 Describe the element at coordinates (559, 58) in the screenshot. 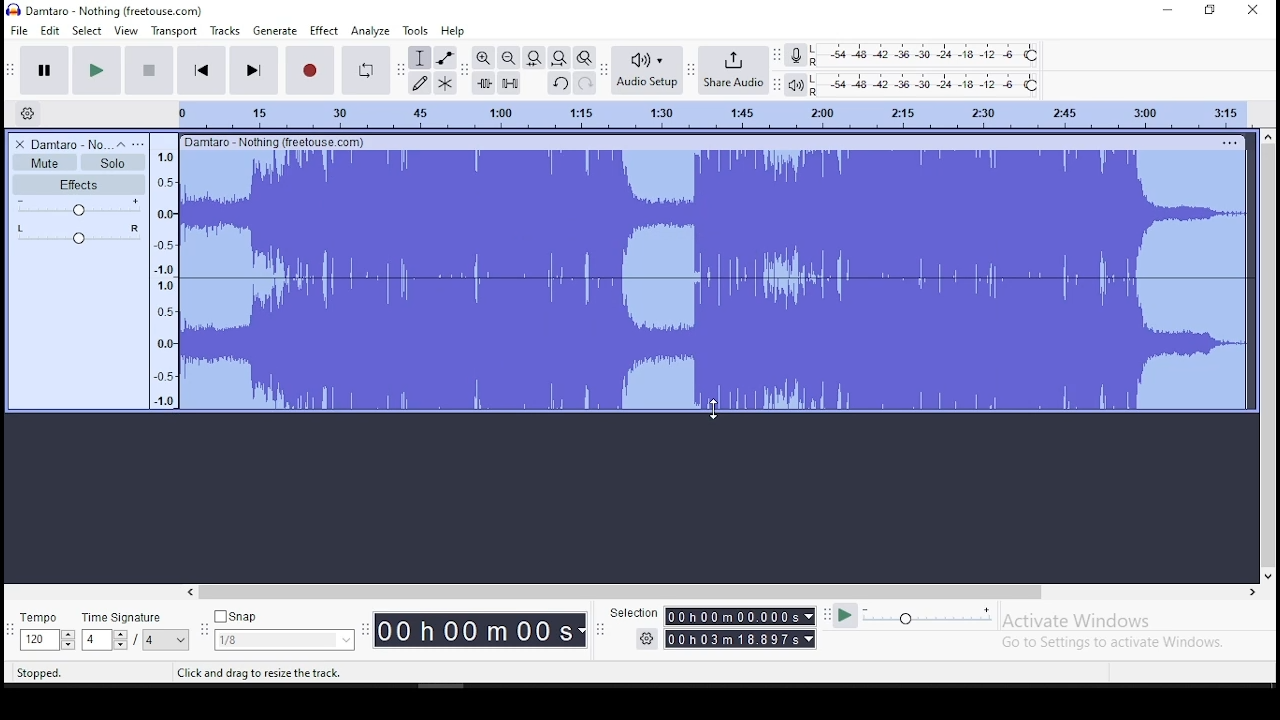

I see `fit project to width` at that location.